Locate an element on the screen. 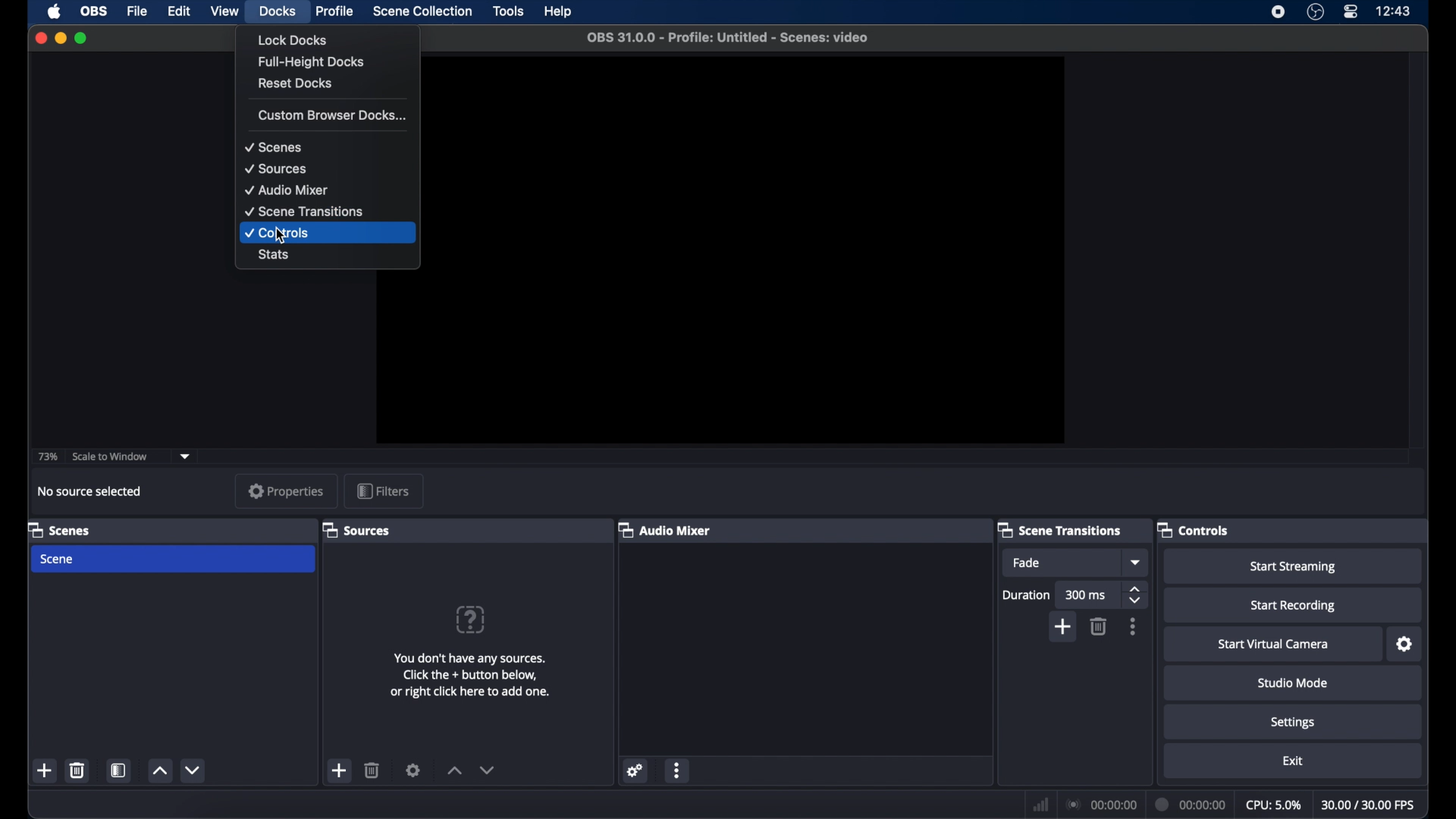 Image resolution: width=1456 pixels, height=819 pixels. 73% is located at coordinates (47, 456).